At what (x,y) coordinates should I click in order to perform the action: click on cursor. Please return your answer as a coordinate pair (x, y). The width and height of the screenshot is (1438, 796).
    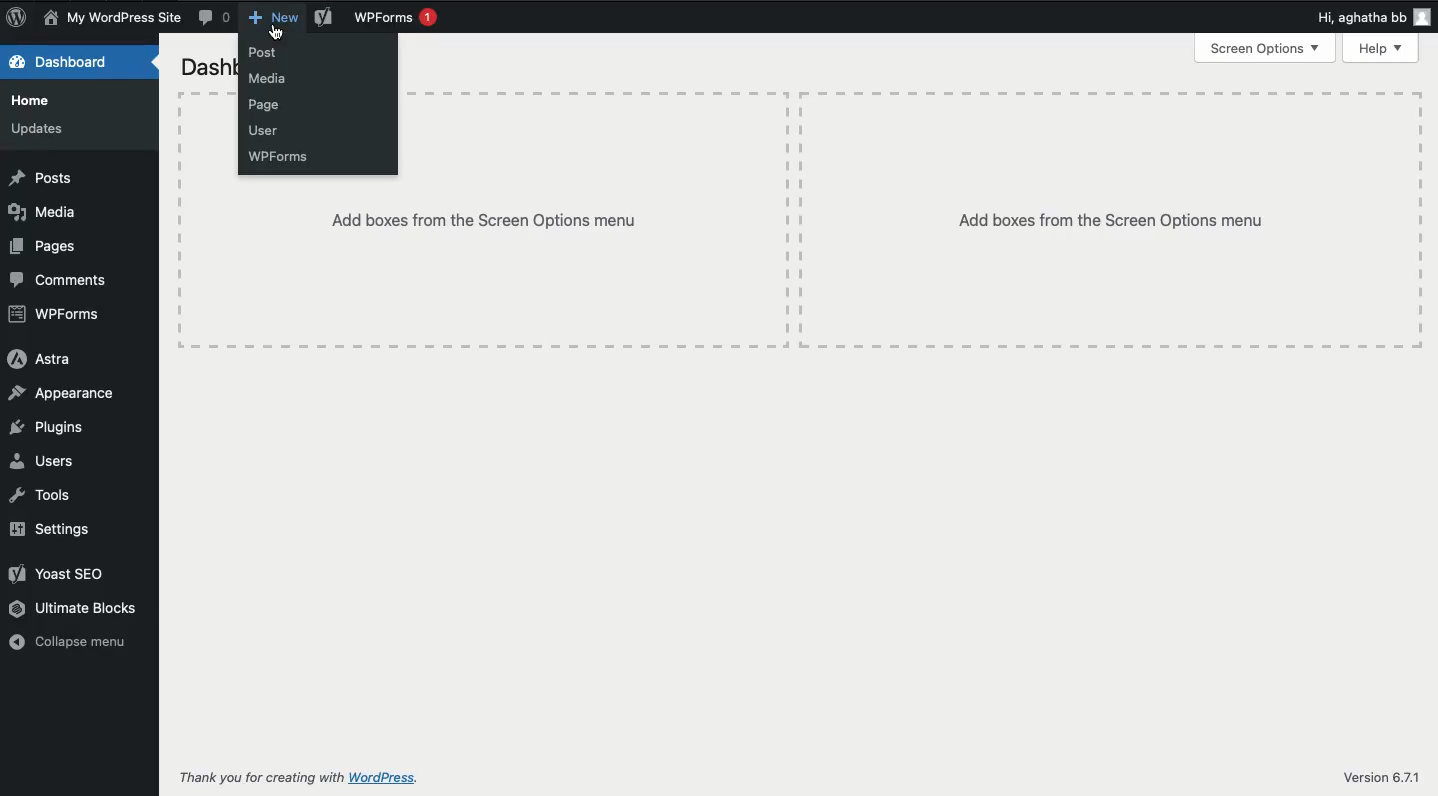
    Looking at the image, I should click on (276, 31).